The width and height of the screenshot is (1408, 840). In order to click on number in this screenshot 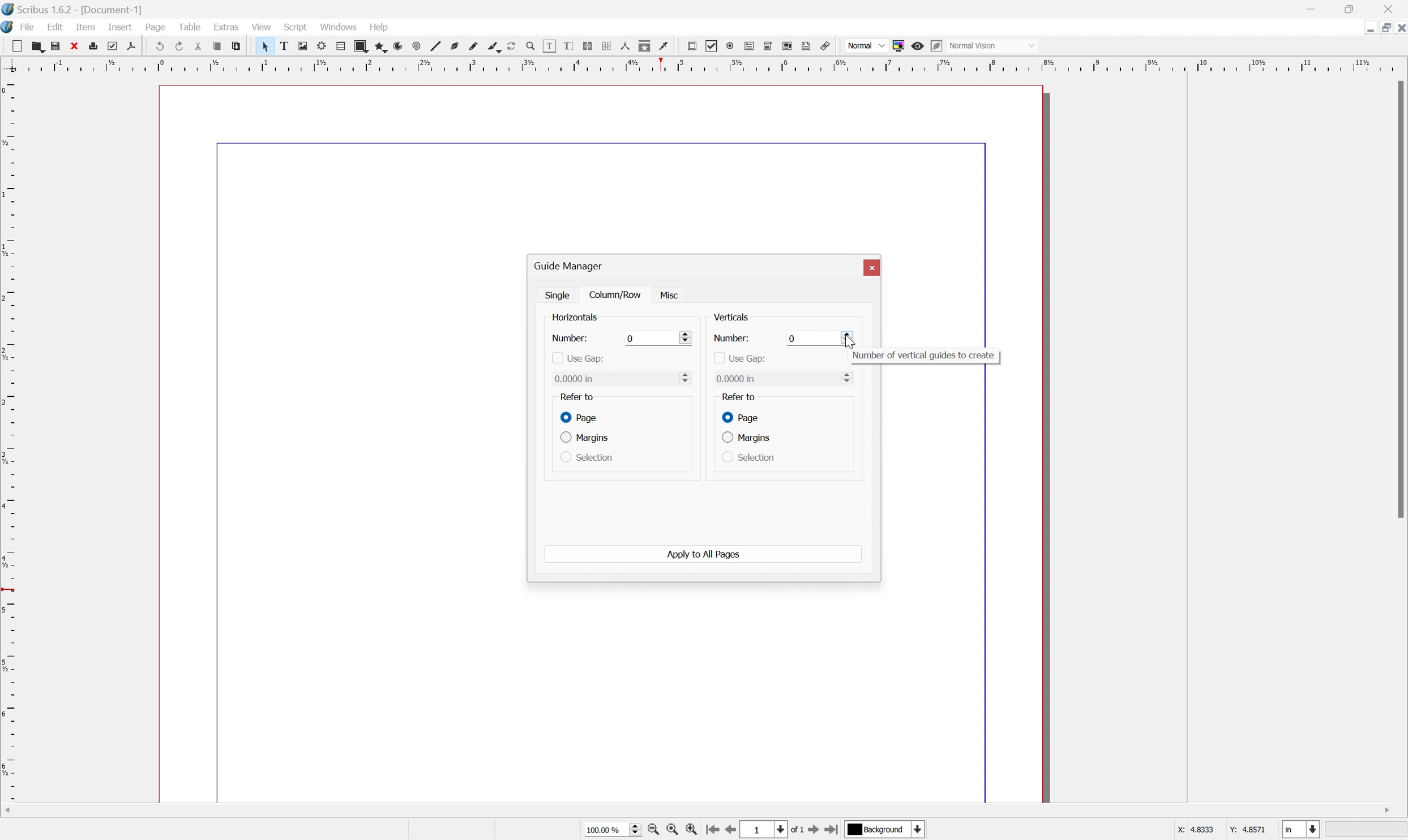, I will do `click(730, 339)`.